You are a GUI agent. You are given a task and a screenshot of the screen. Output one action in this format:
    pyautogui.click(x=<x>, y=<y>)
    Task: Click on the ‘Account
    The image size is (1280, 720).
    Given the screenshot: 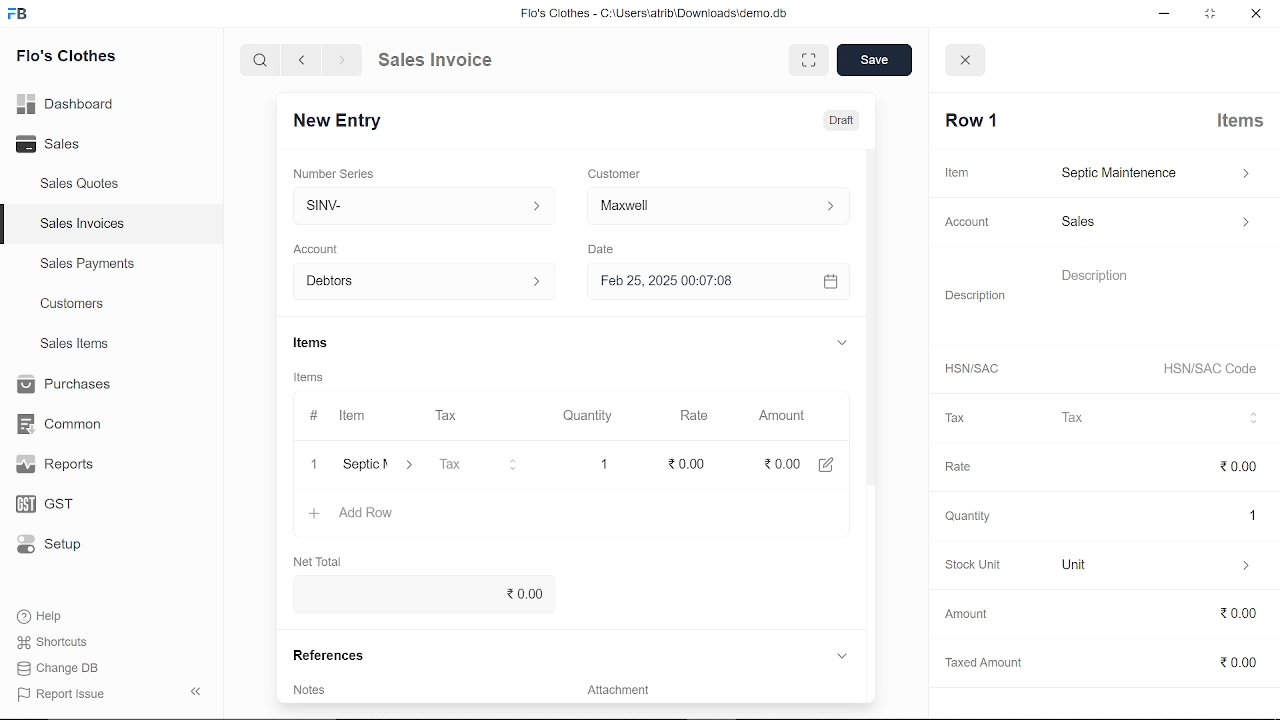 What is the action you would take?
    pyautogui.click(x=326, y=247)
    